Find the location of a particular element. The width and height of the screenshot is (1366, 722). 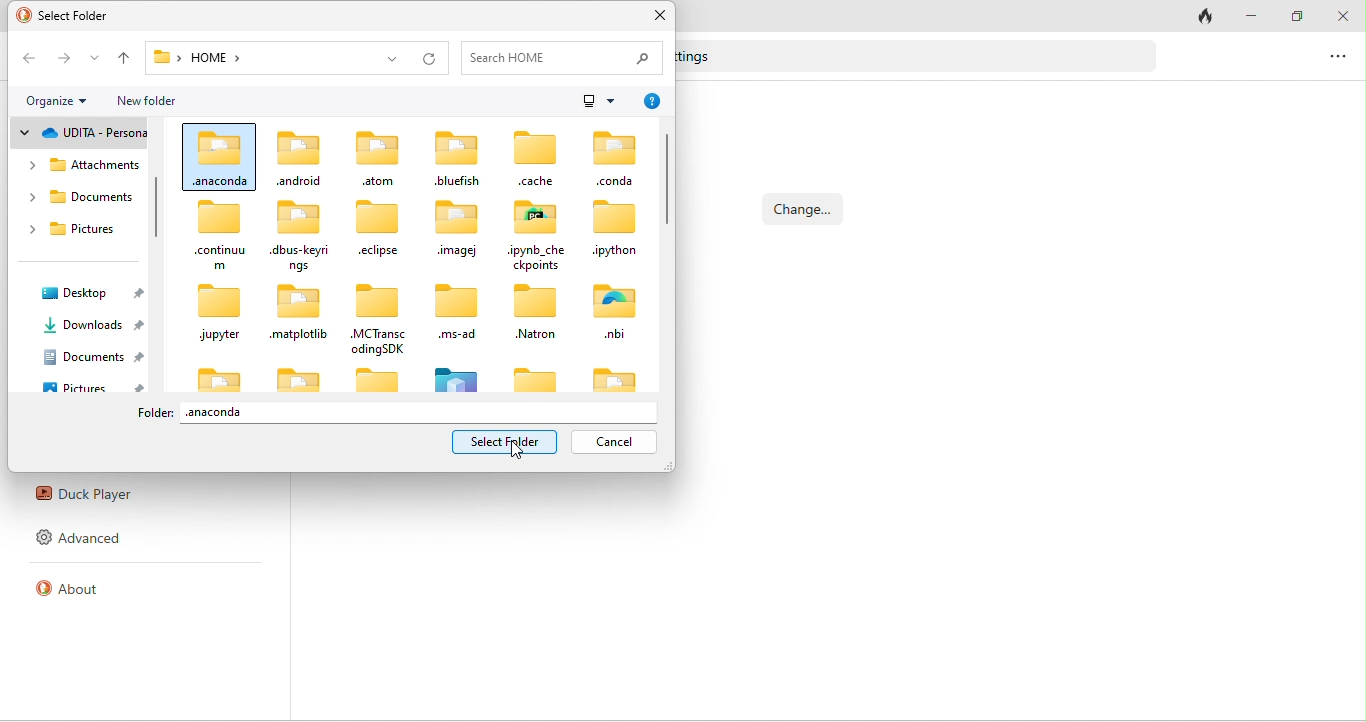

cancel is located at coordinates (612, 442).